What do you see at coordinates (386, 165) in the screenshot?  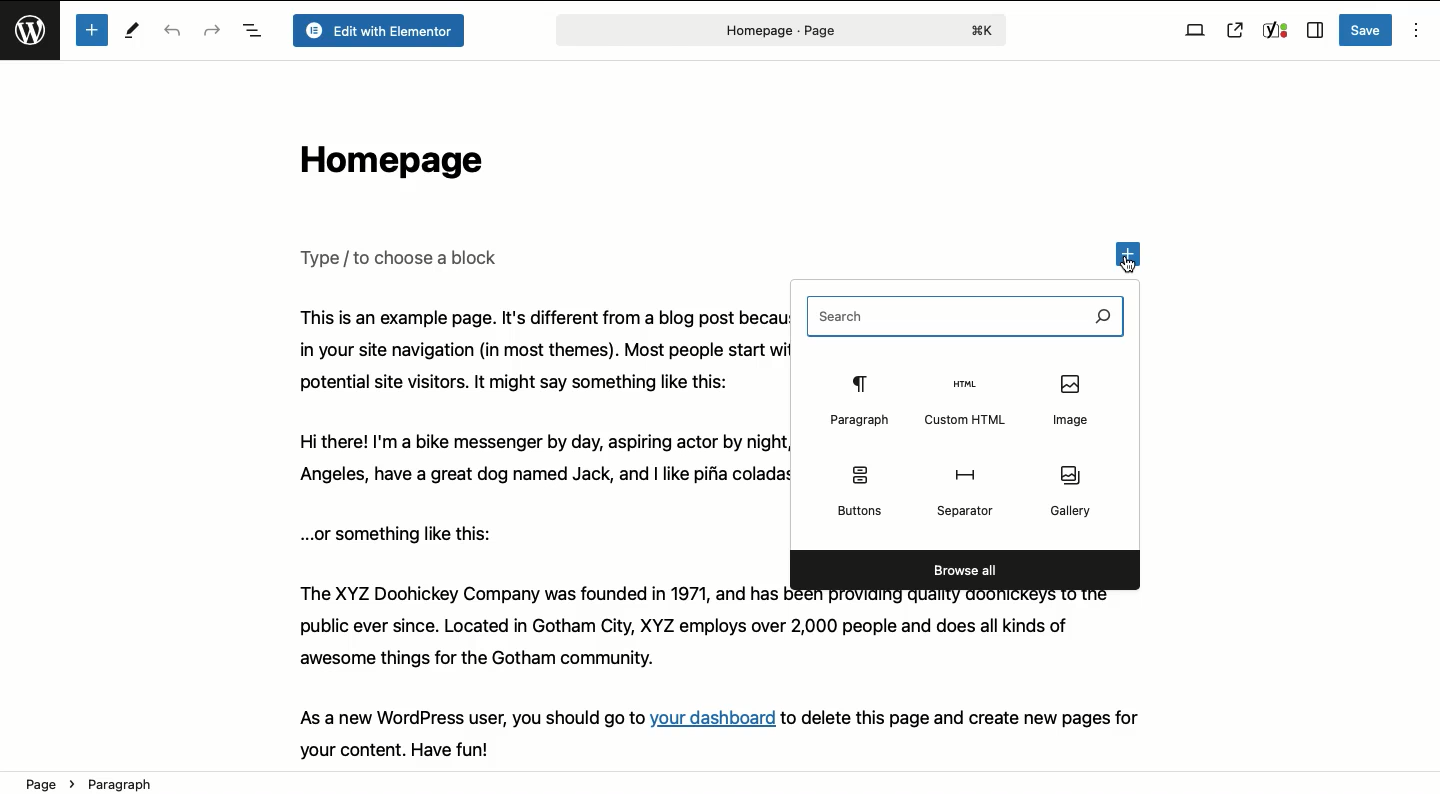 I see `Homepage` at bounding box center [386, 165].